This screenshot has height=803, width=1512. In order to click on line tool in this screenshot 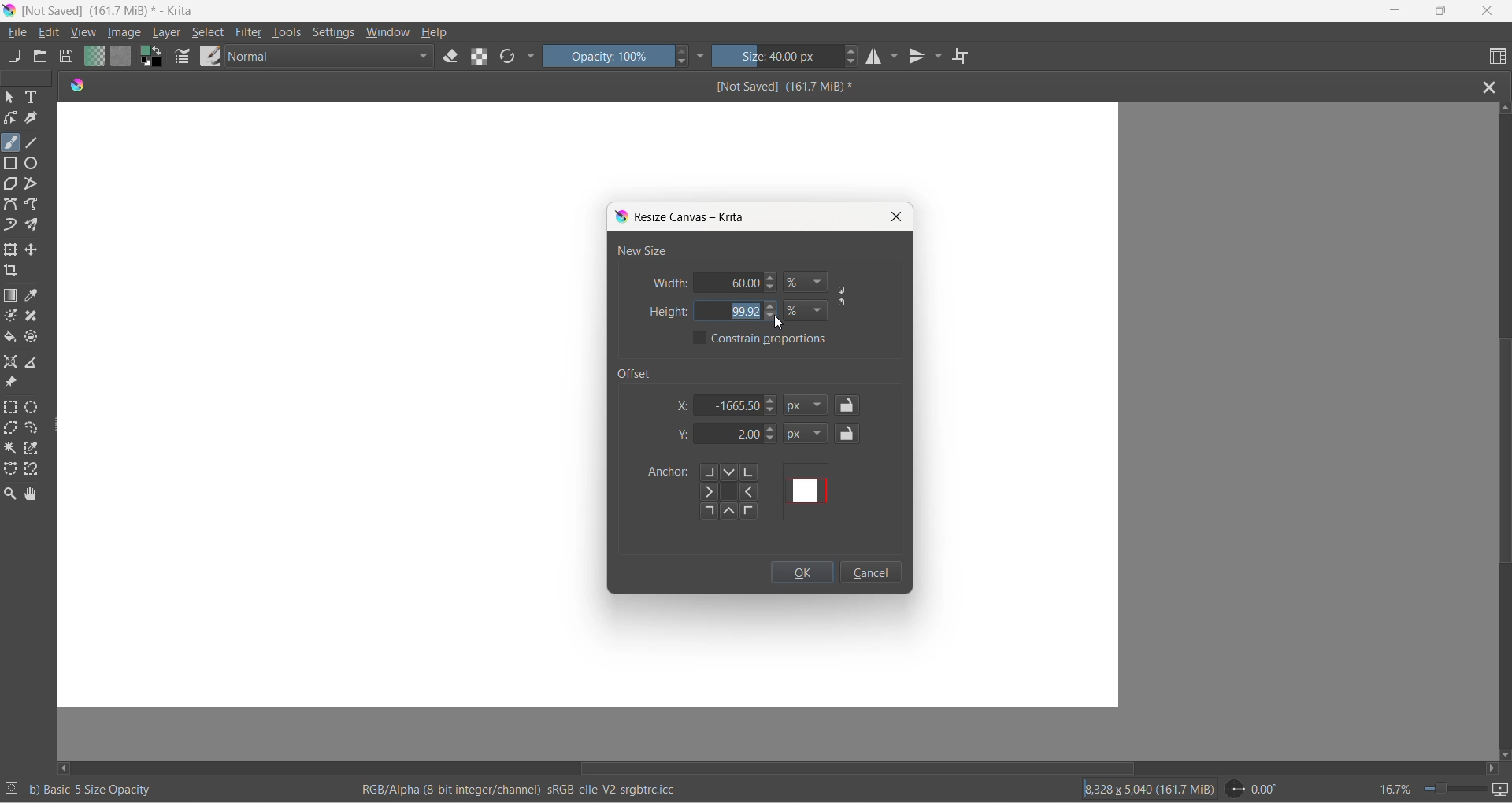, I will do `click(35, 140)`.